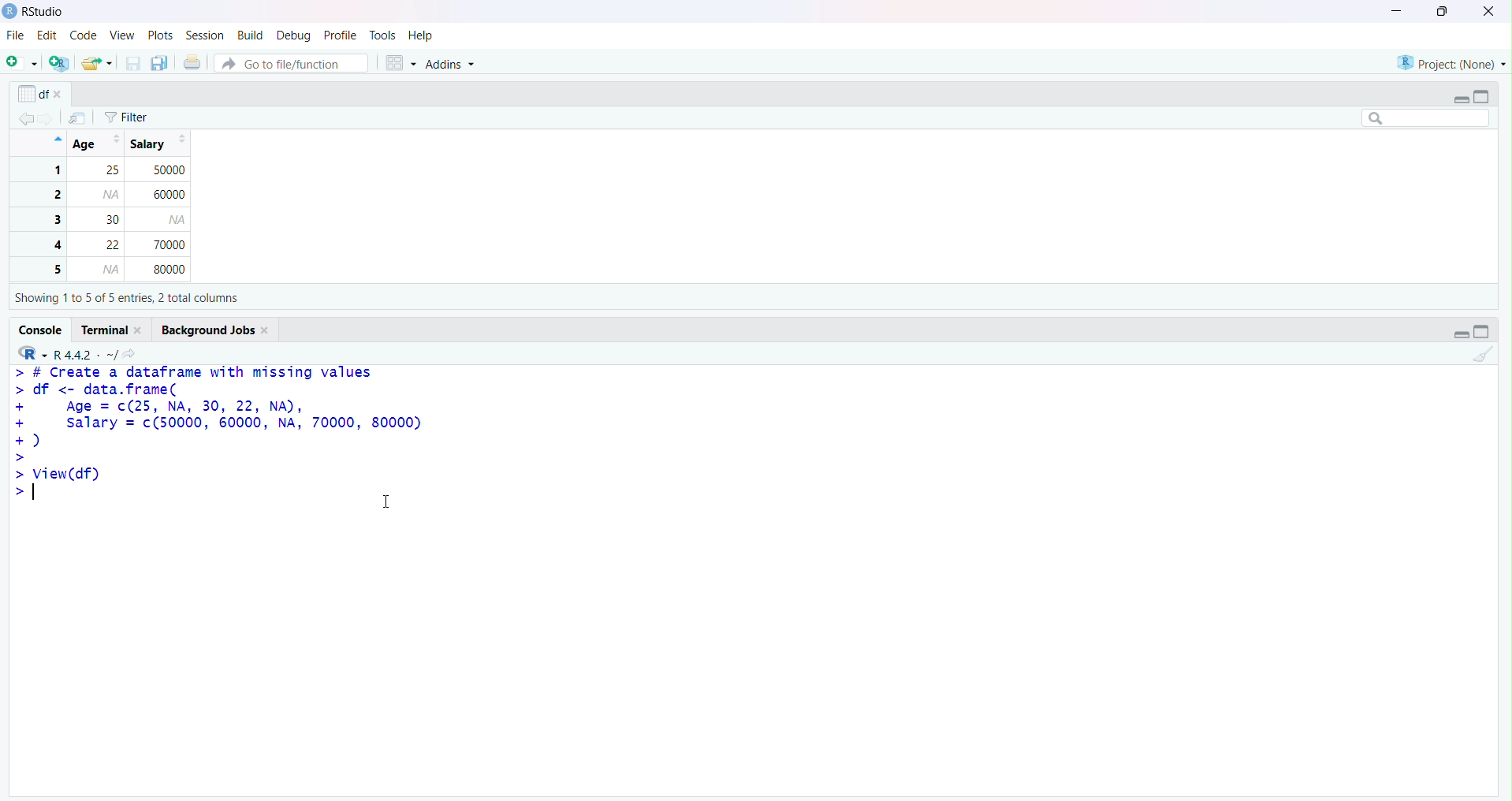 This screenshot has height=801, width=1512. Describe the element at coordinates (237, 434) in the screenshot. I see `> # Create a dataframe with missing values
> df <- data.frame(
+ Age = c(25, NA, 30, 22, NA),
+ salary = (50000, 60000, NA, 70000, 80000)
+)
>
> View(df)
>
T` at that location.